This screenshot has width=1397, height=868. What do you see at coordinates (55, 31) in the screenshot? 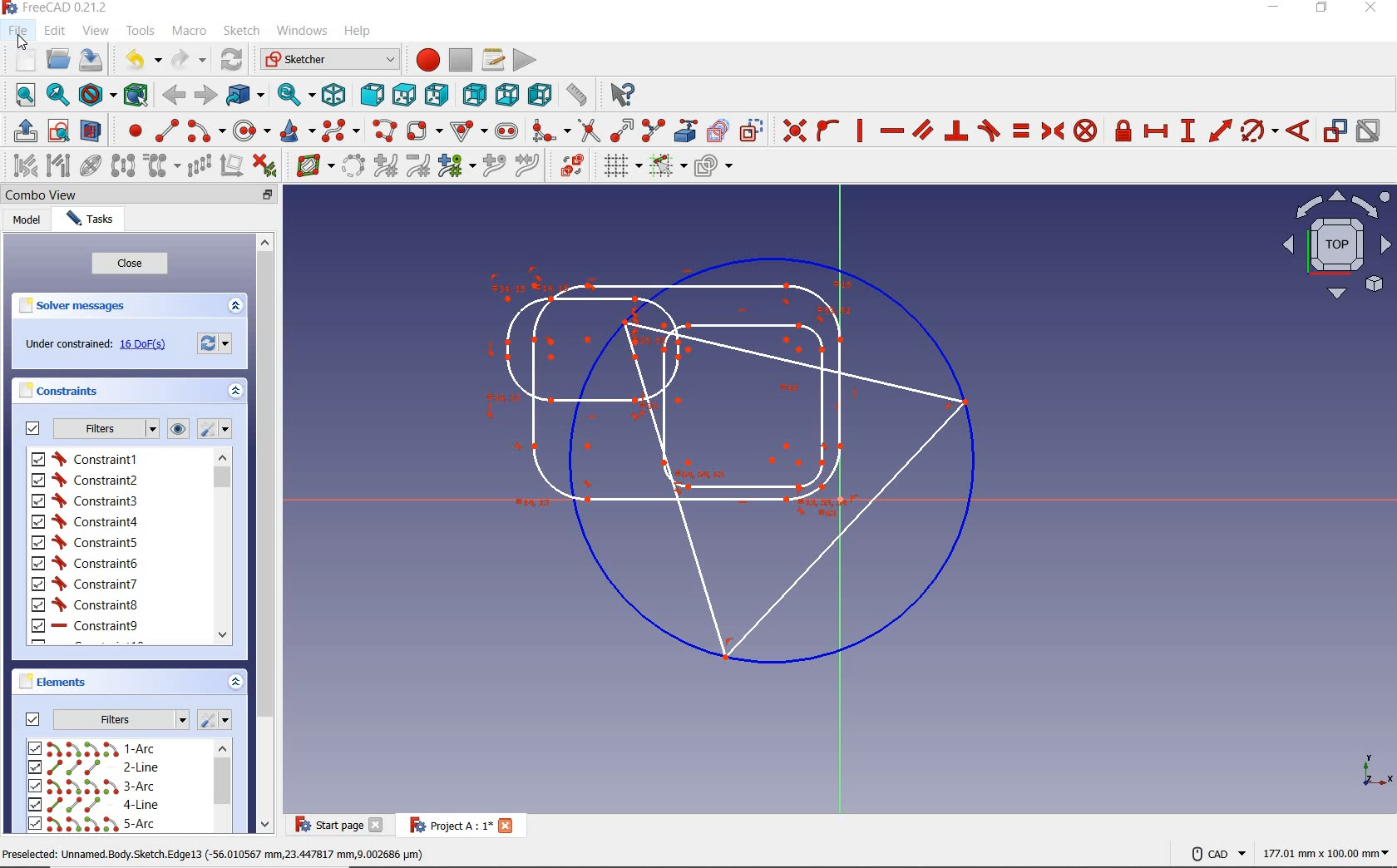
I see `edit` at bounding box center [55, 31].